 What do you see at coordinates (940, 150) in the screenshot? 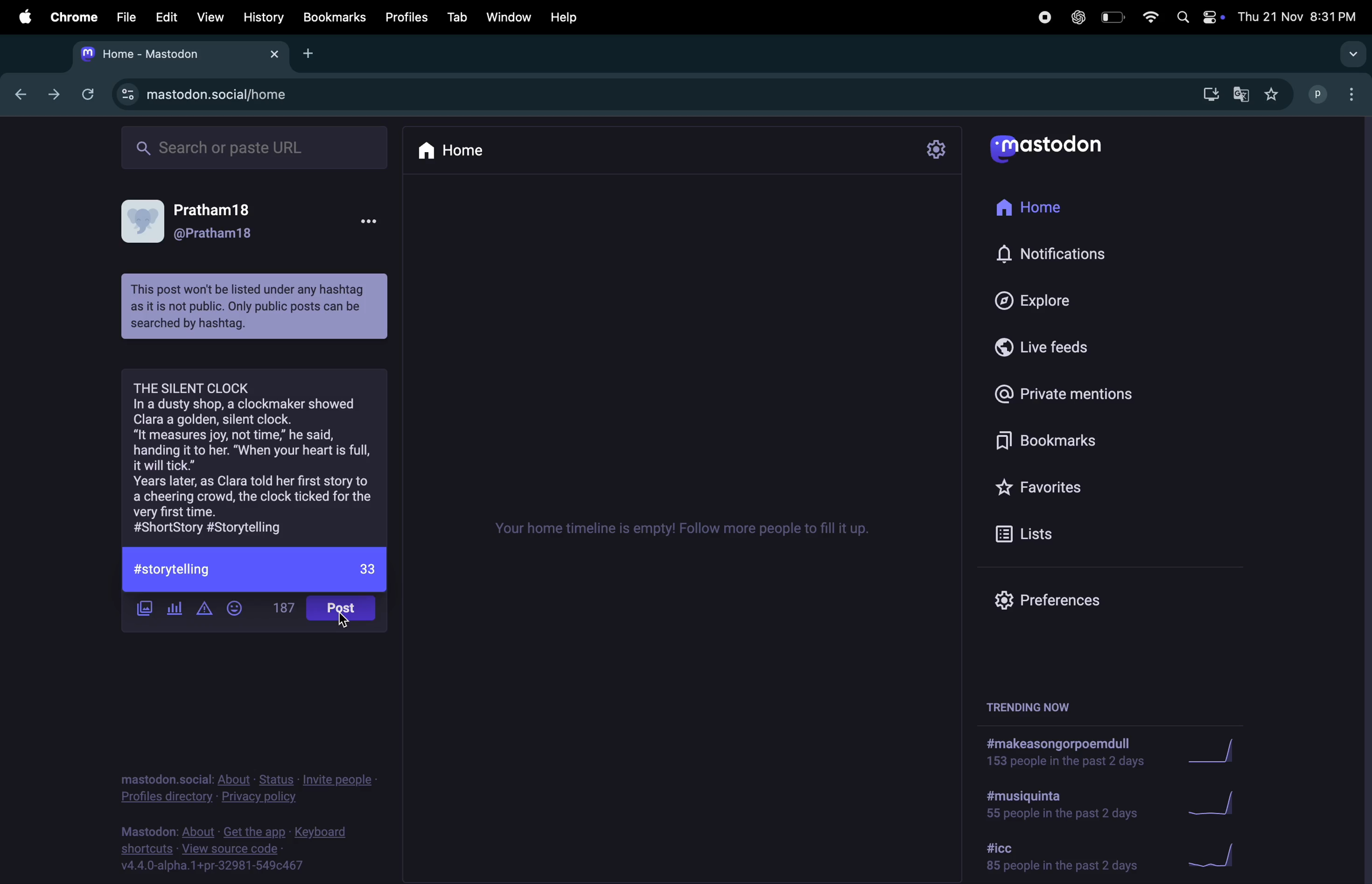
I see `setting` at bounding box center [940, 150].